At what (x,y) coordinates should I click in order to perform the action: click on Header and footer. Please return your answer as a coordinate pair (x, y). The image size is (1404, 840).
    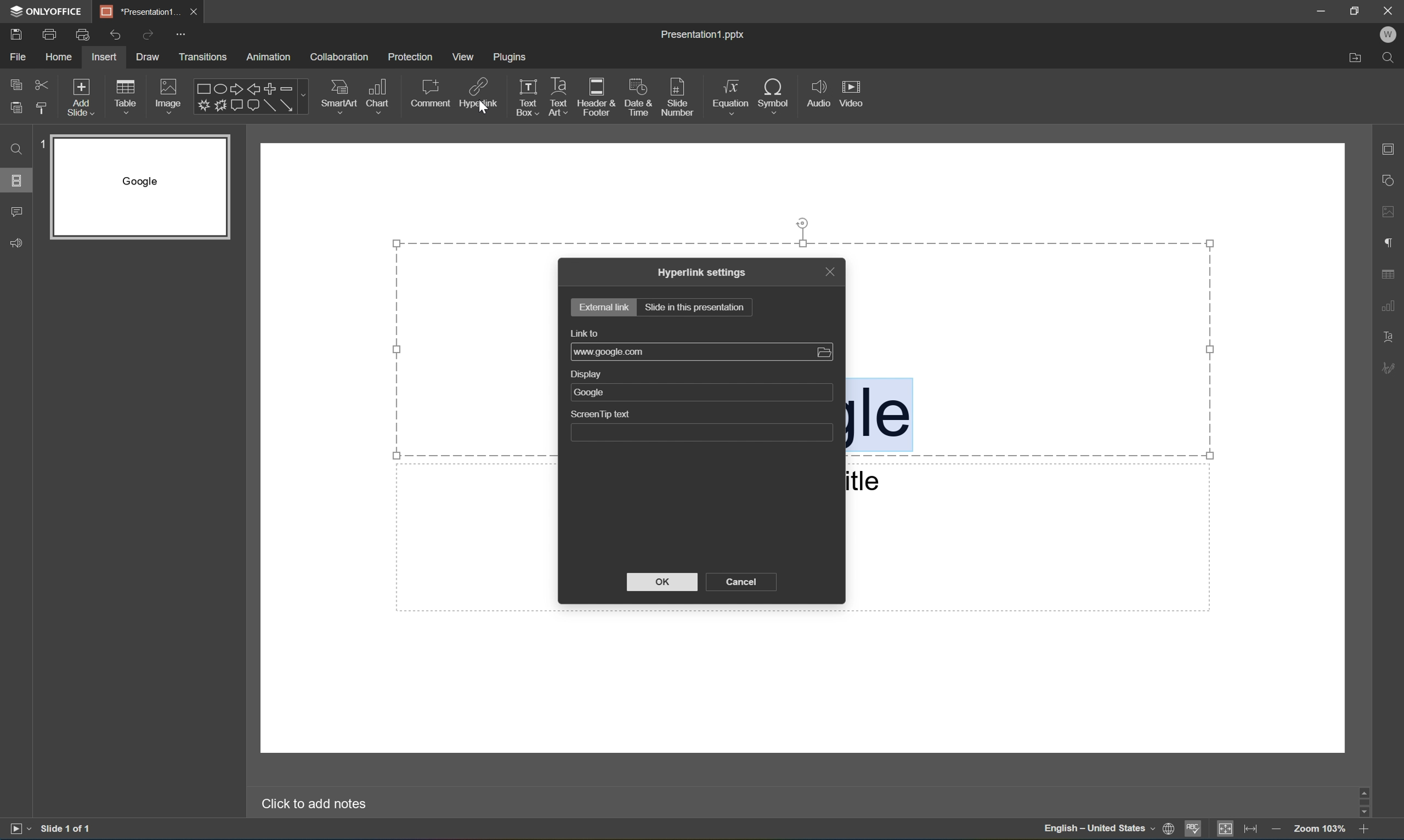
    Looking at the image, I should click on (598, 96).